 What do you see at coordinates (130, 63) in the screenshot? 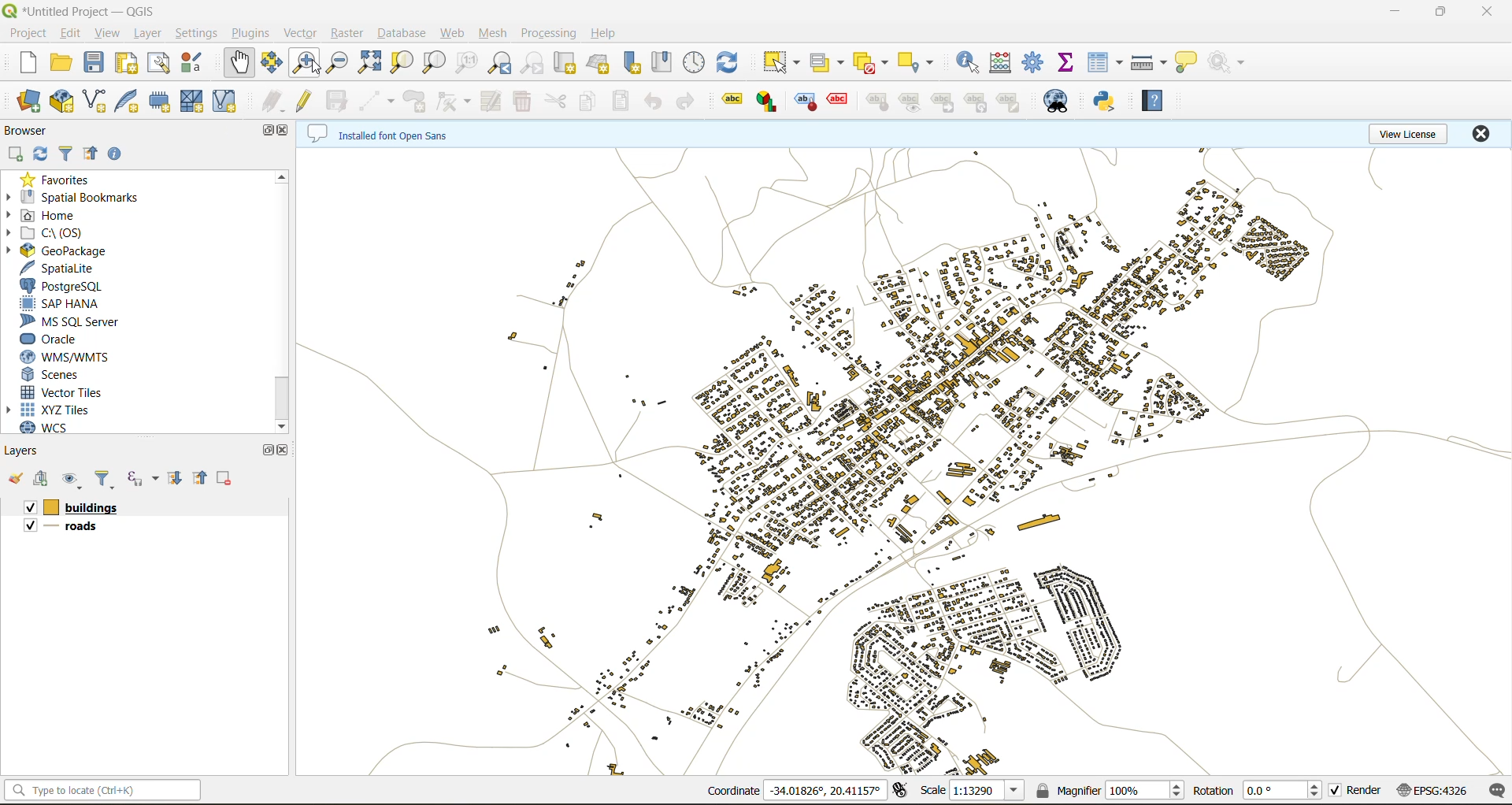
I see `print layout` at bounding box center [130, 63].